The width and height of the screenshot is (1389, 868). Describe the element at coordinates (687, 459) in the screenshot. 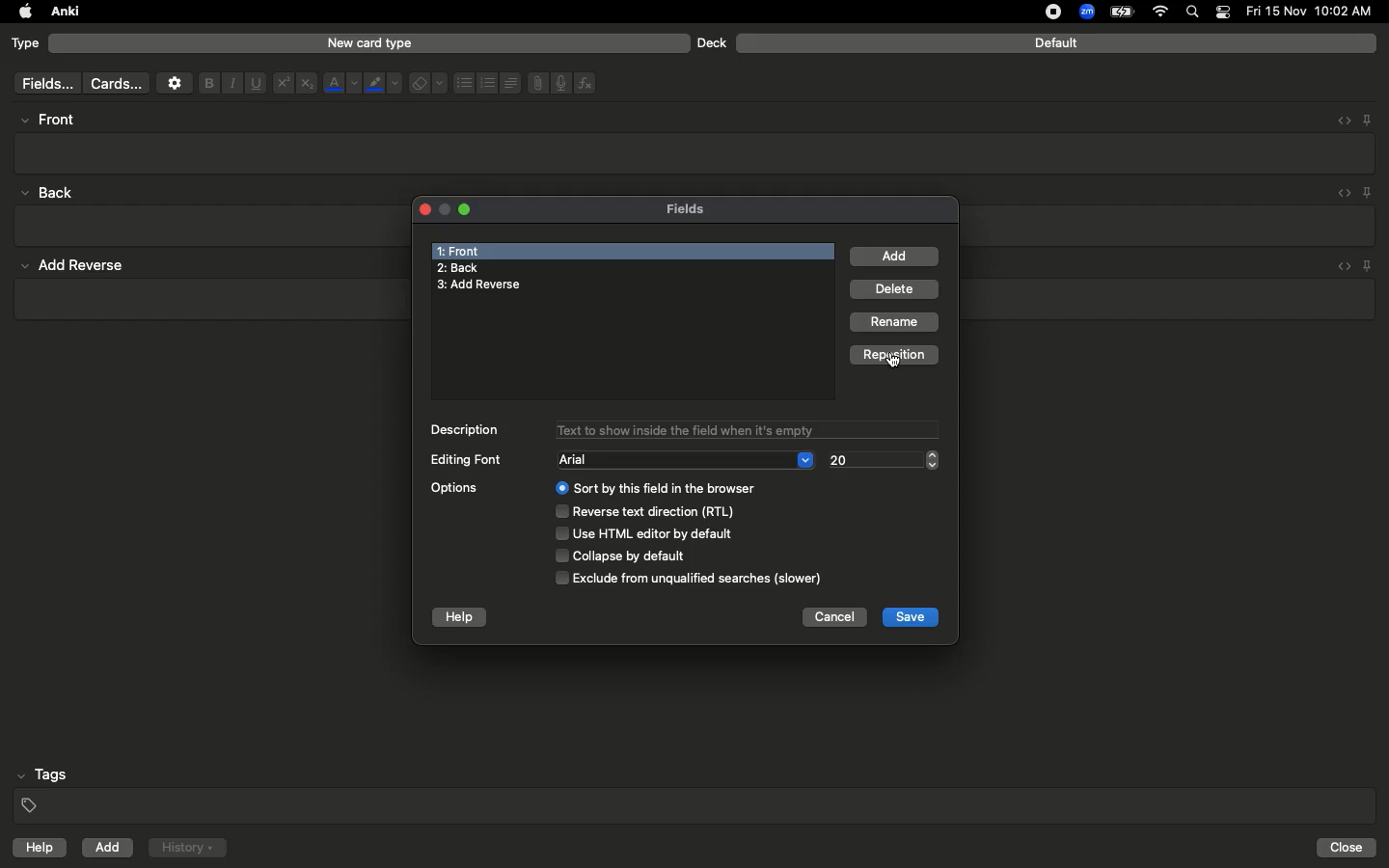

I see `Arial` at that location.